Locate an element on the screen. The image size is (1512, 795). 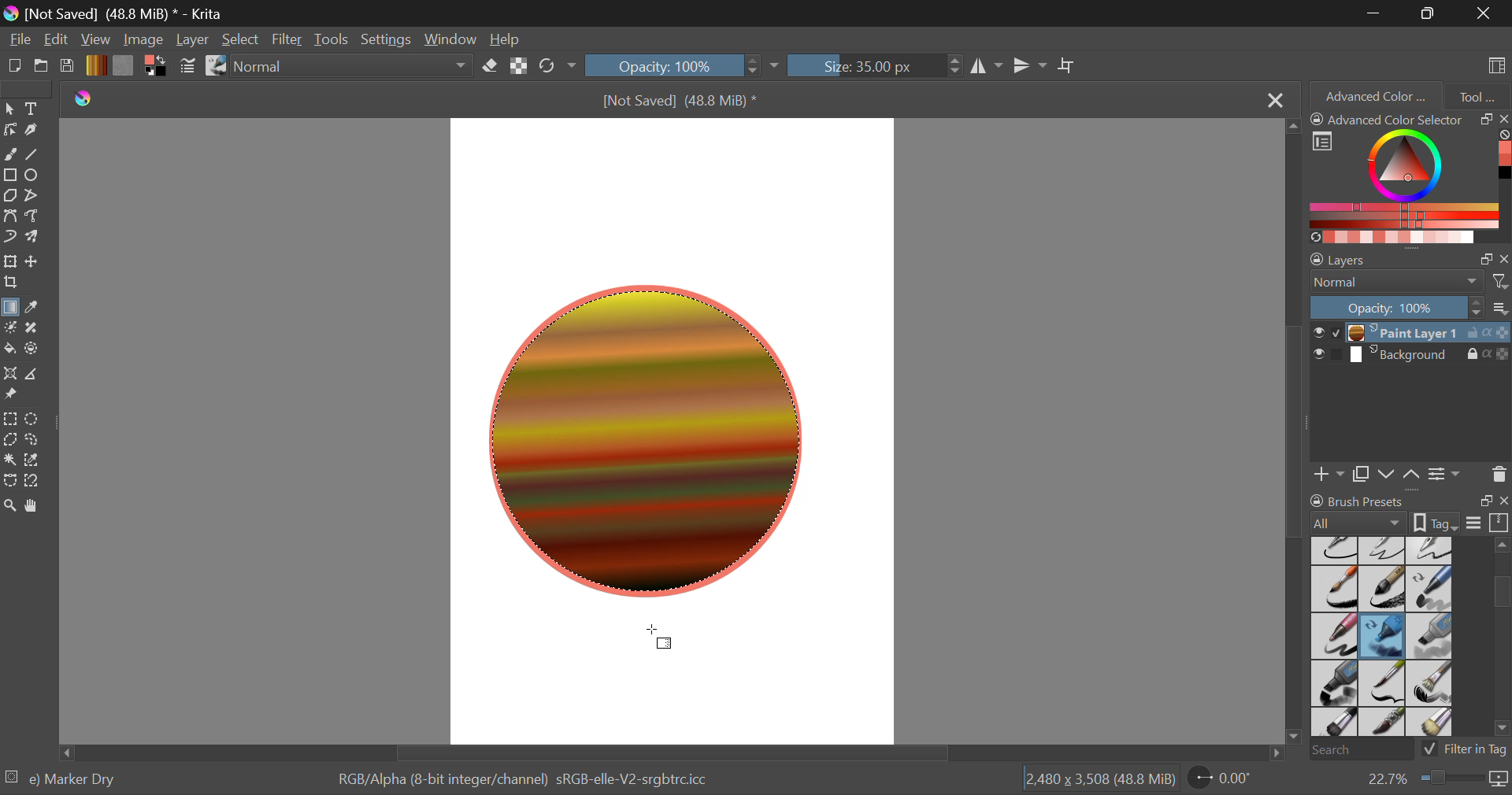
Calligraphic Tool is located at coordinates (35, 130).